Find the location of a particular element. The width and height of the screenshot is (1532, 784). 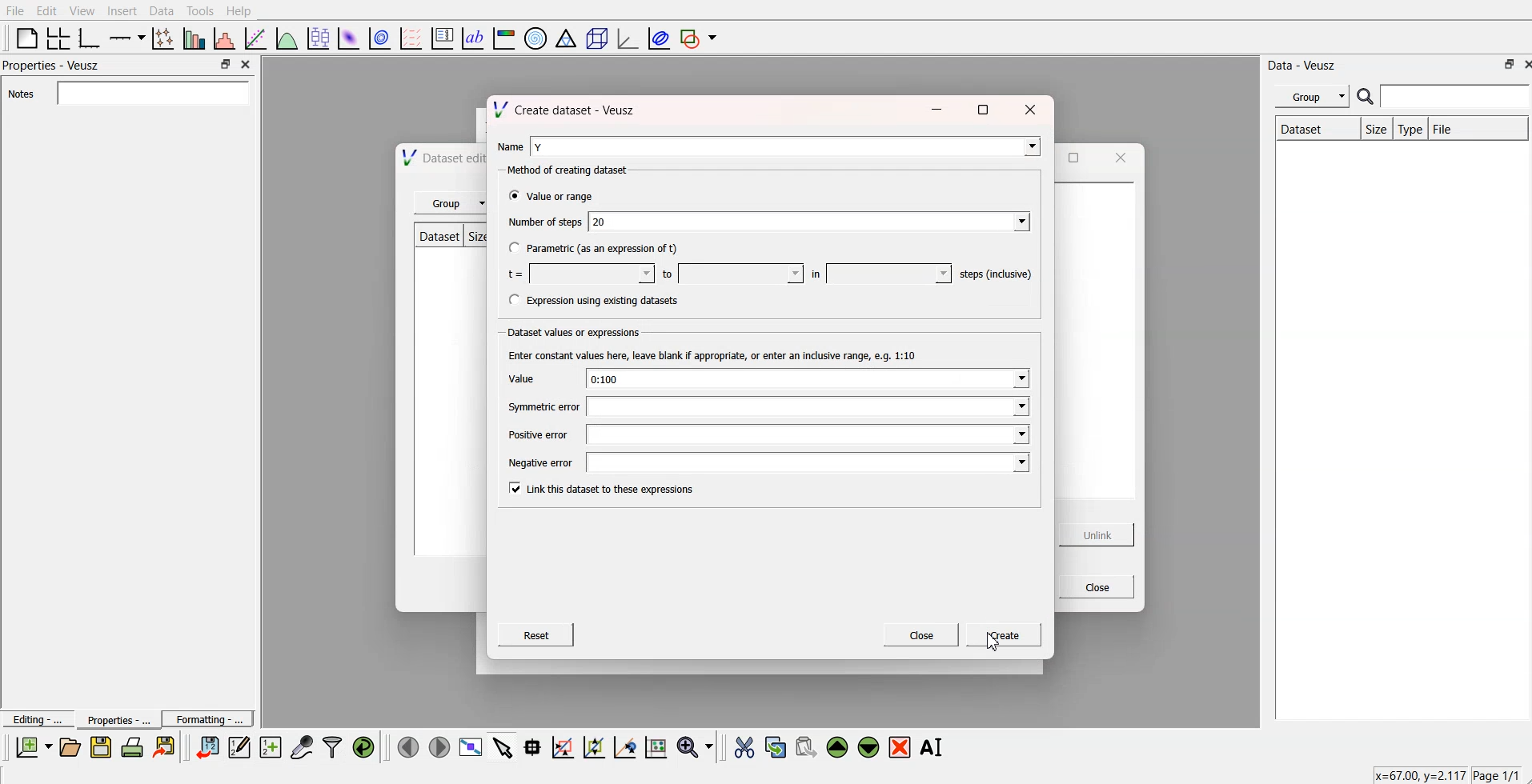

(Expression using existing datasets. is located at coordinates (593, 301).